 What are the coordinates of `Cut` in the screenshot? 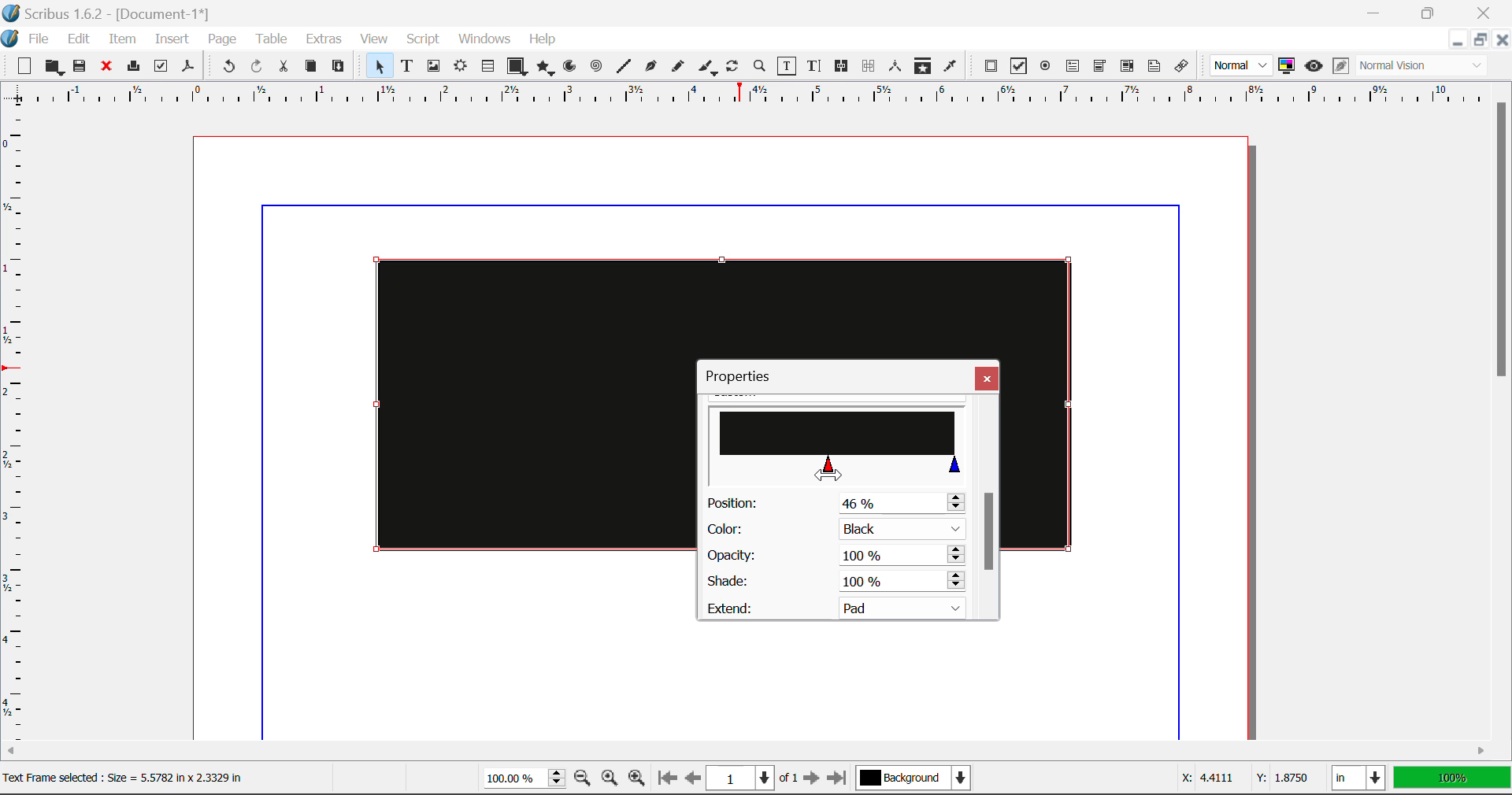 It's located at (283, 67).